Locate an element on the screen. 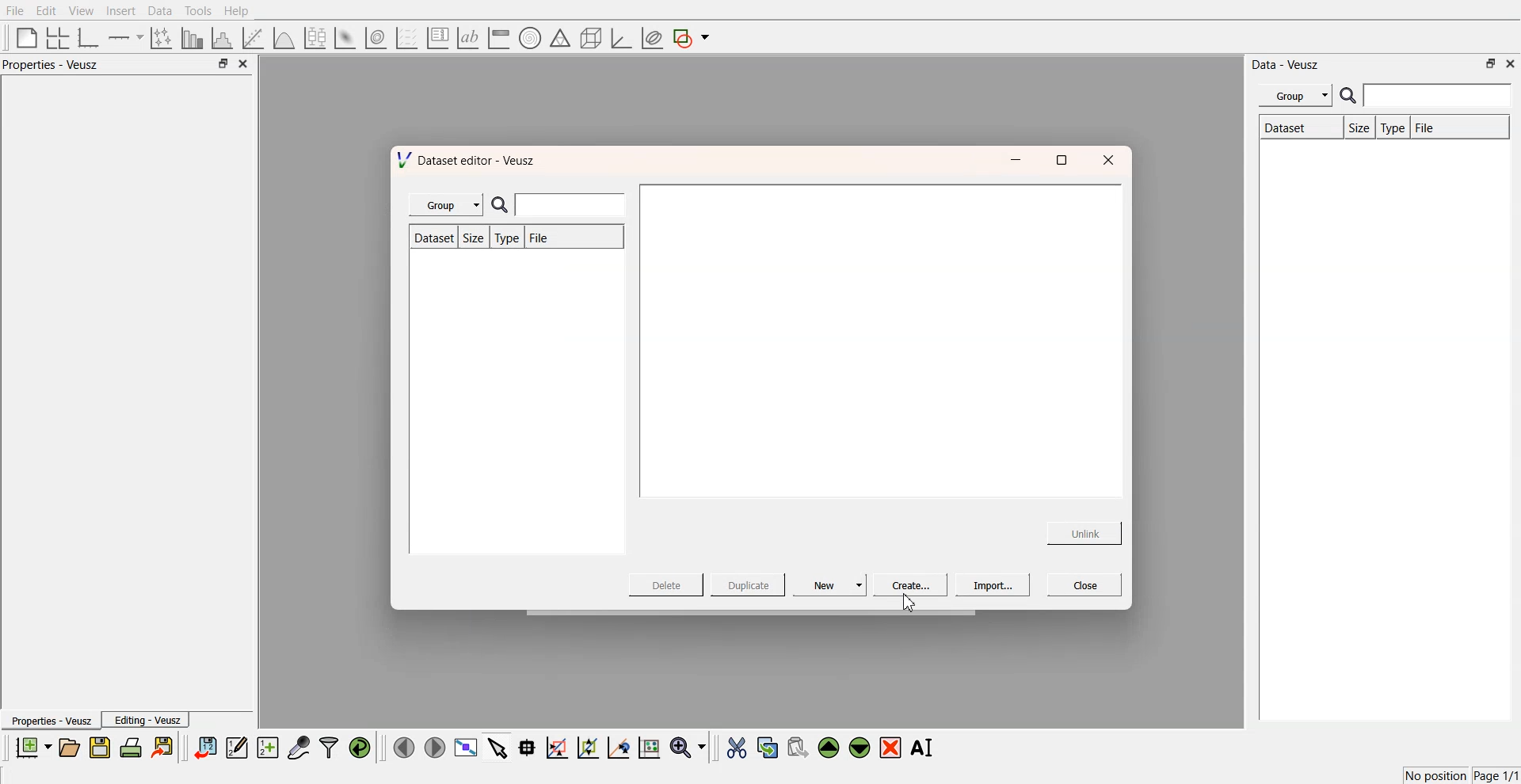 Image resolution: width=1521 pixels, height=784 pixels. Rename the selected widgets is located at coordinates (925, 748).